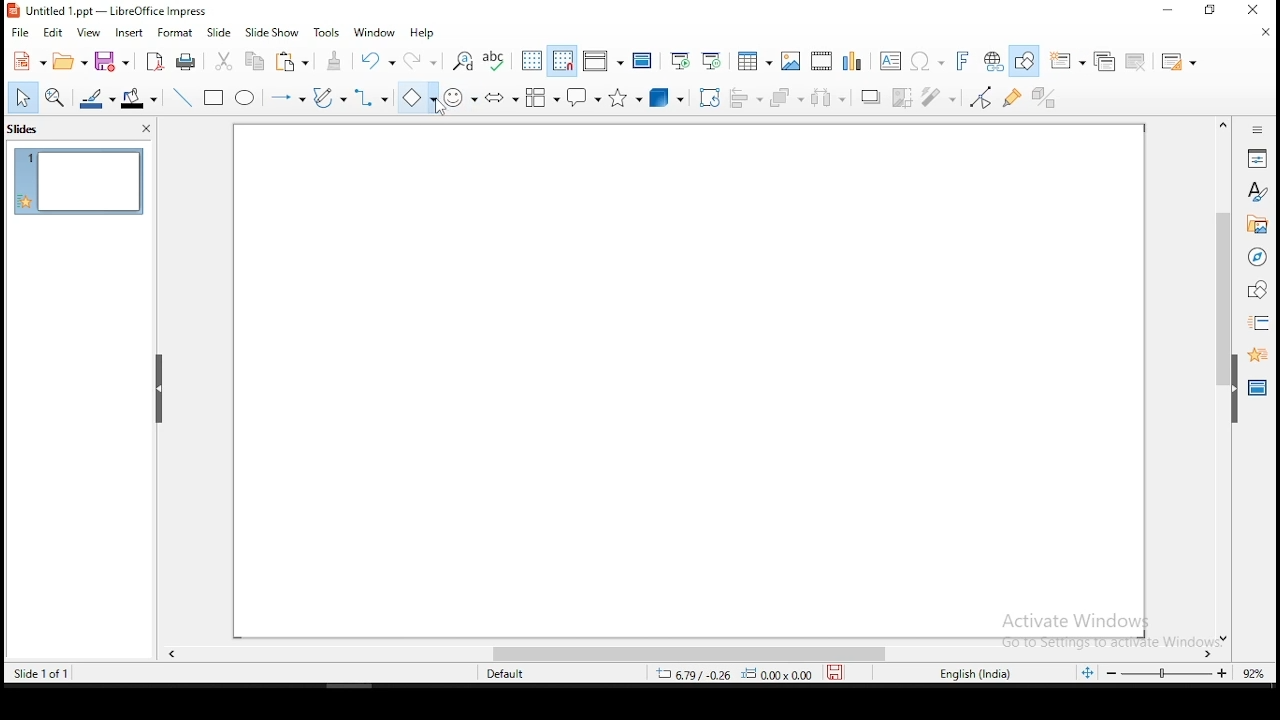 The image size is (1280, 720). I want to click on 6.9 / -0.26, so click(690, 676).